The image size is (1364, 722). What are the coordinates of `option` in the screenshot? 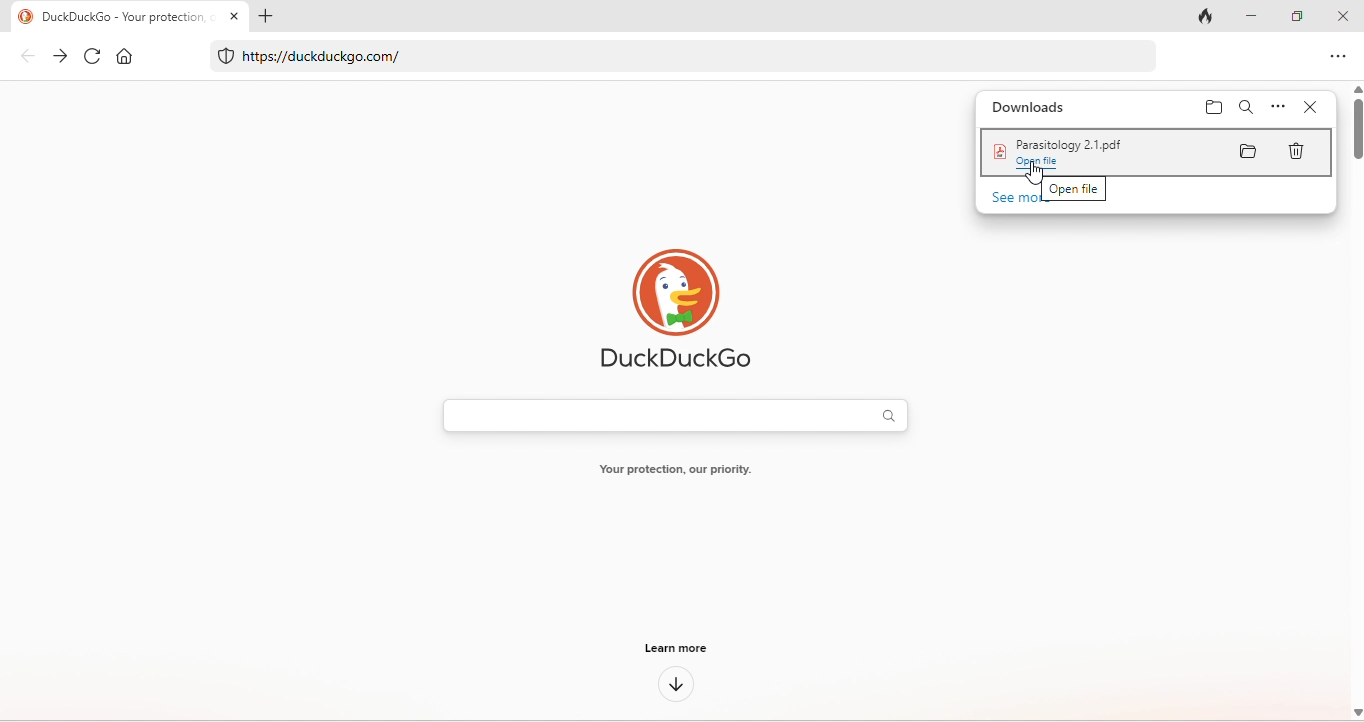 It's located at (1341, 60).